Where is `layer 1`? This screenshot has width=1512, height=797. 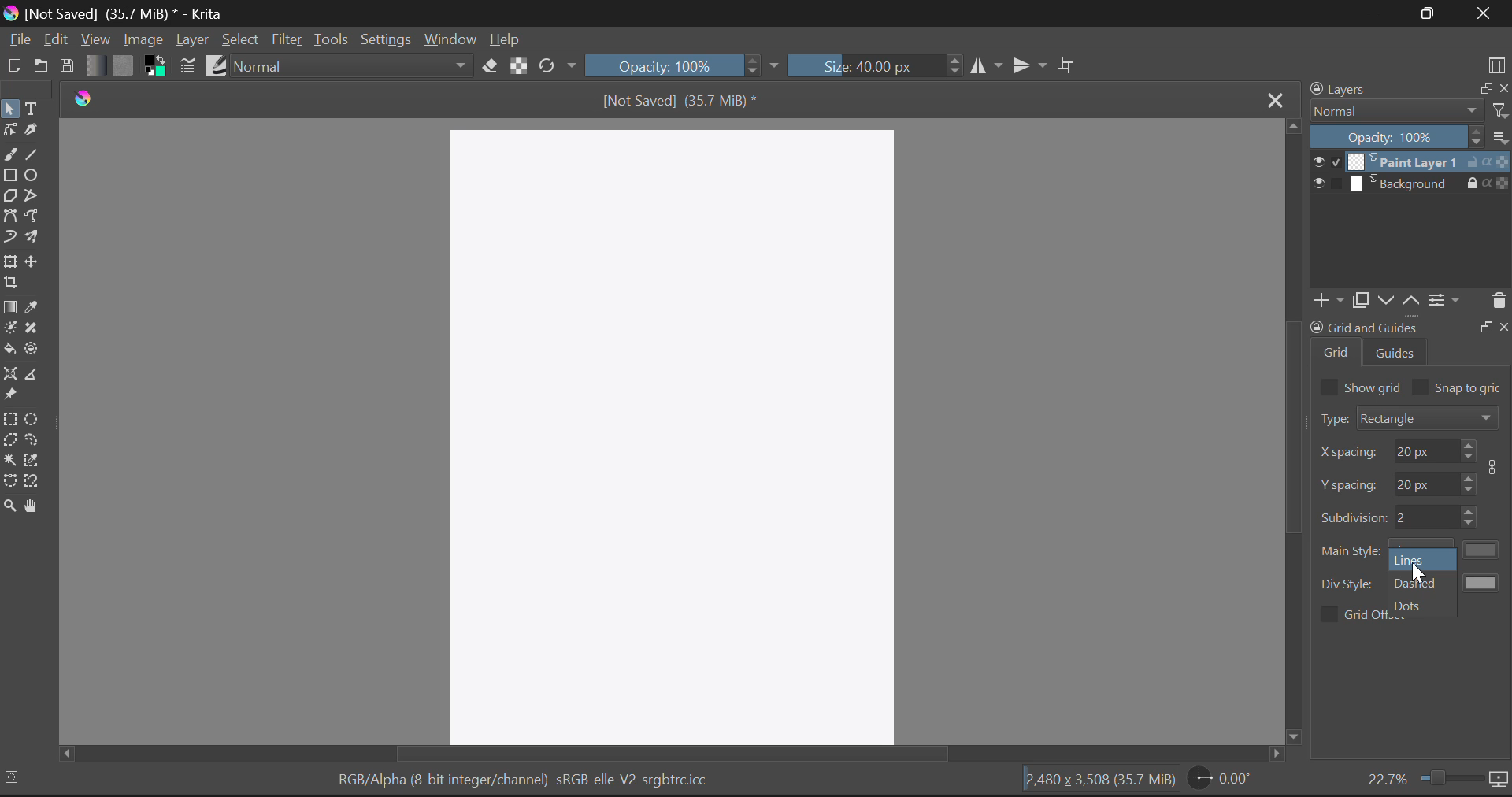 layer 1 is located at coordinates (1403, 161).